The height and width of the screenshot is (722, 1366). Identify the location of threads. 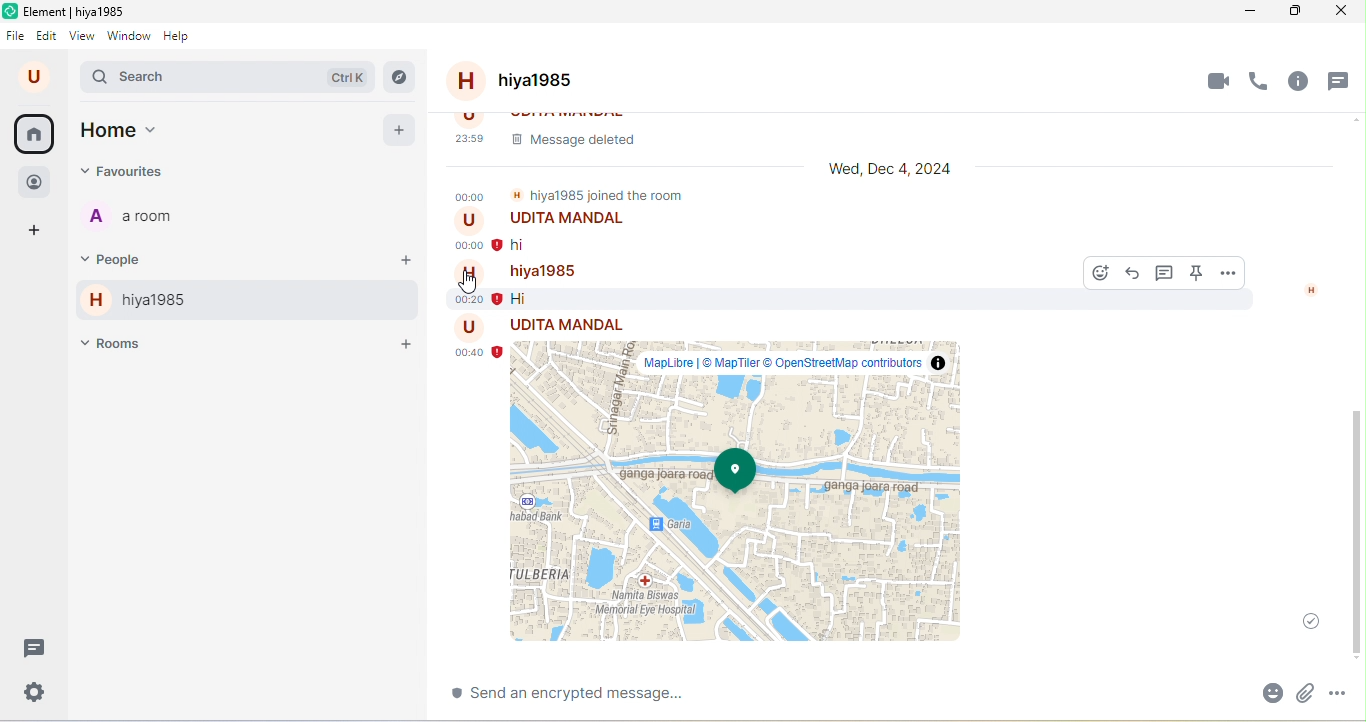
(36, 648).